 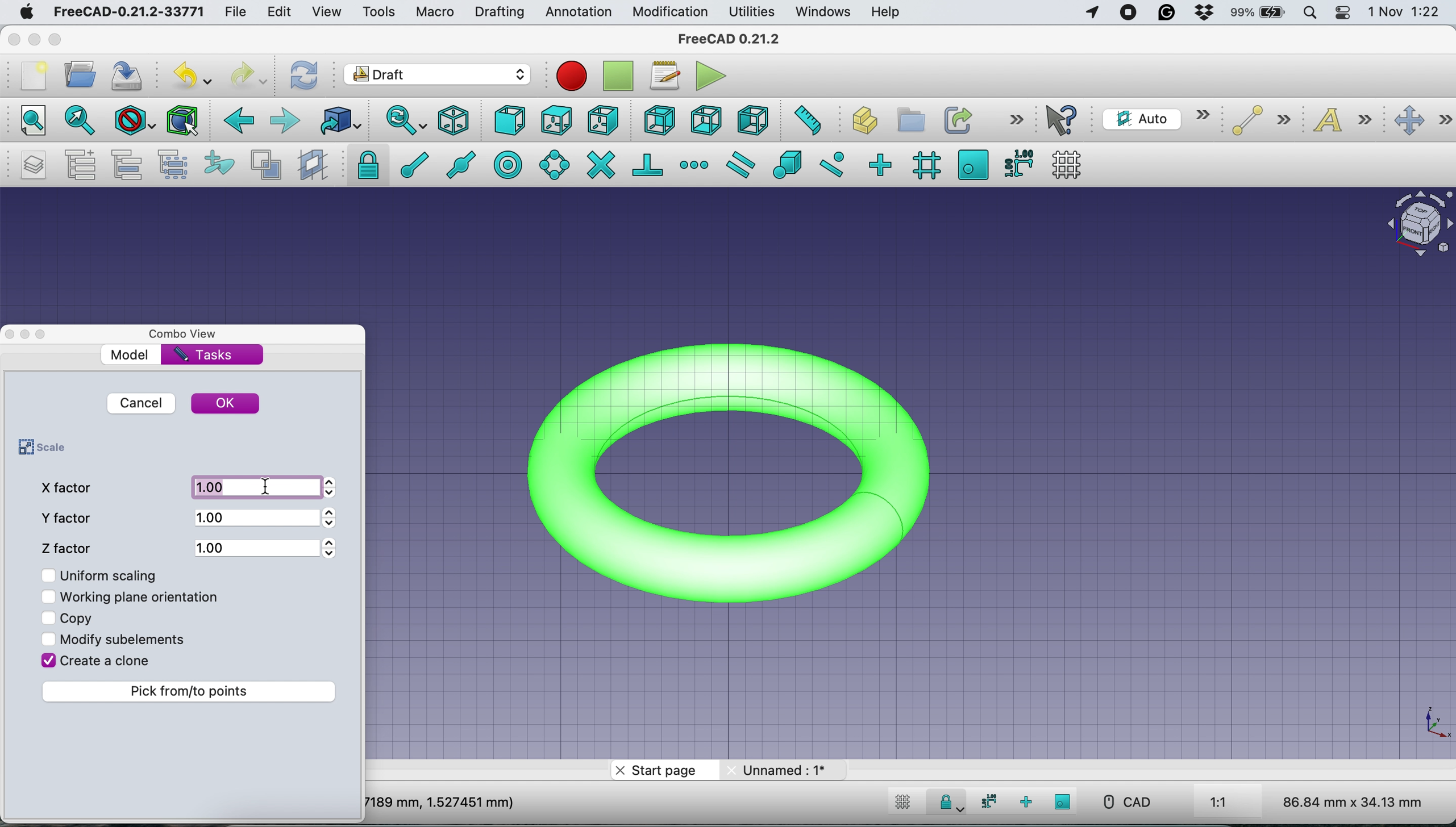 I want to click on FreeCAD-0.21.2-33771, so click(x=130, y=11).